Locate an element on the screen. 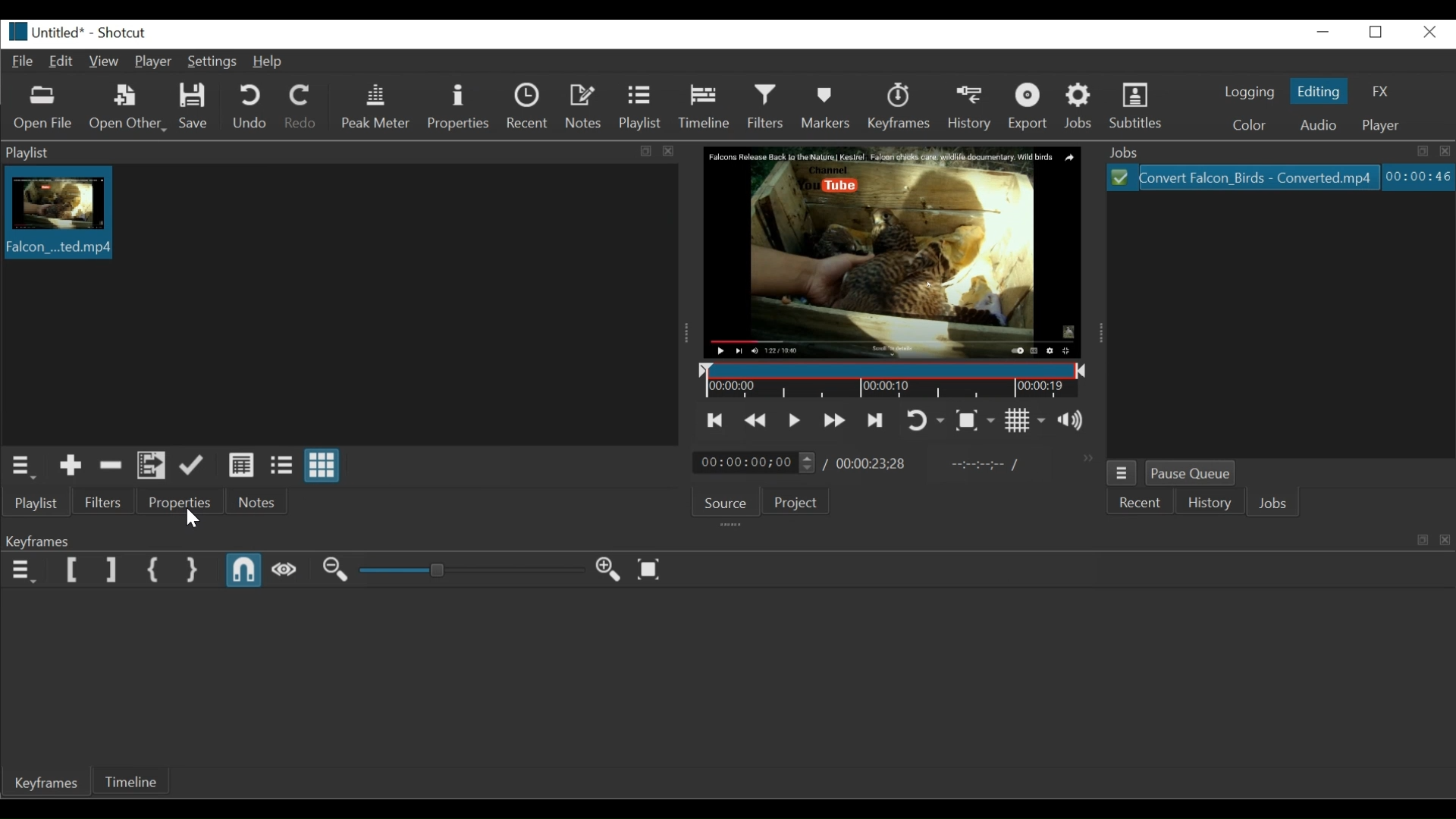 The height and width of the screenshot is (819, 1456). Snap is located at coordinates (243, 572).